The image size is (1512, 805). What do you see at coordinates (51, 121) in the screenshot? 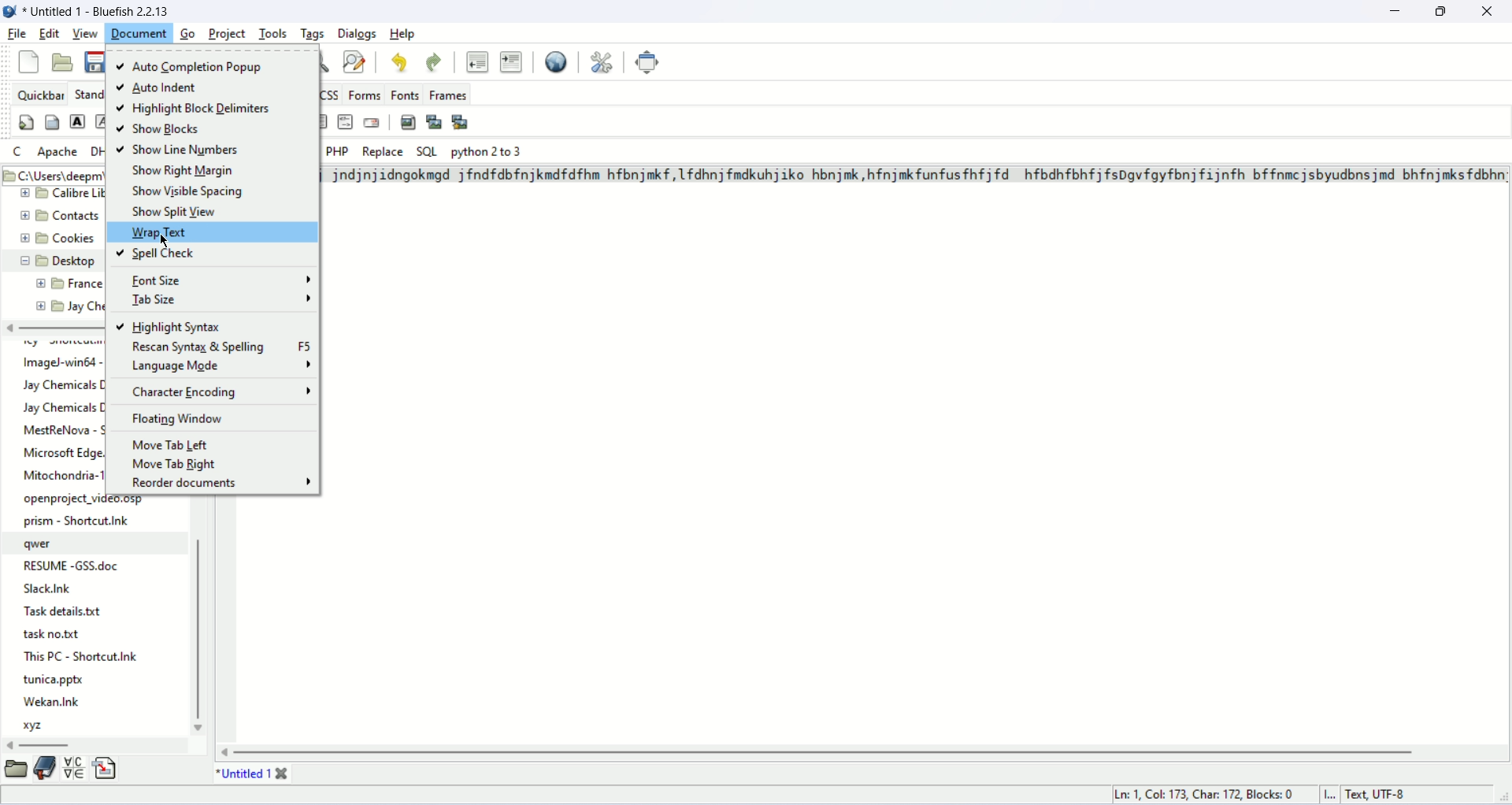
I see `body` at bounding box center [51, 121].